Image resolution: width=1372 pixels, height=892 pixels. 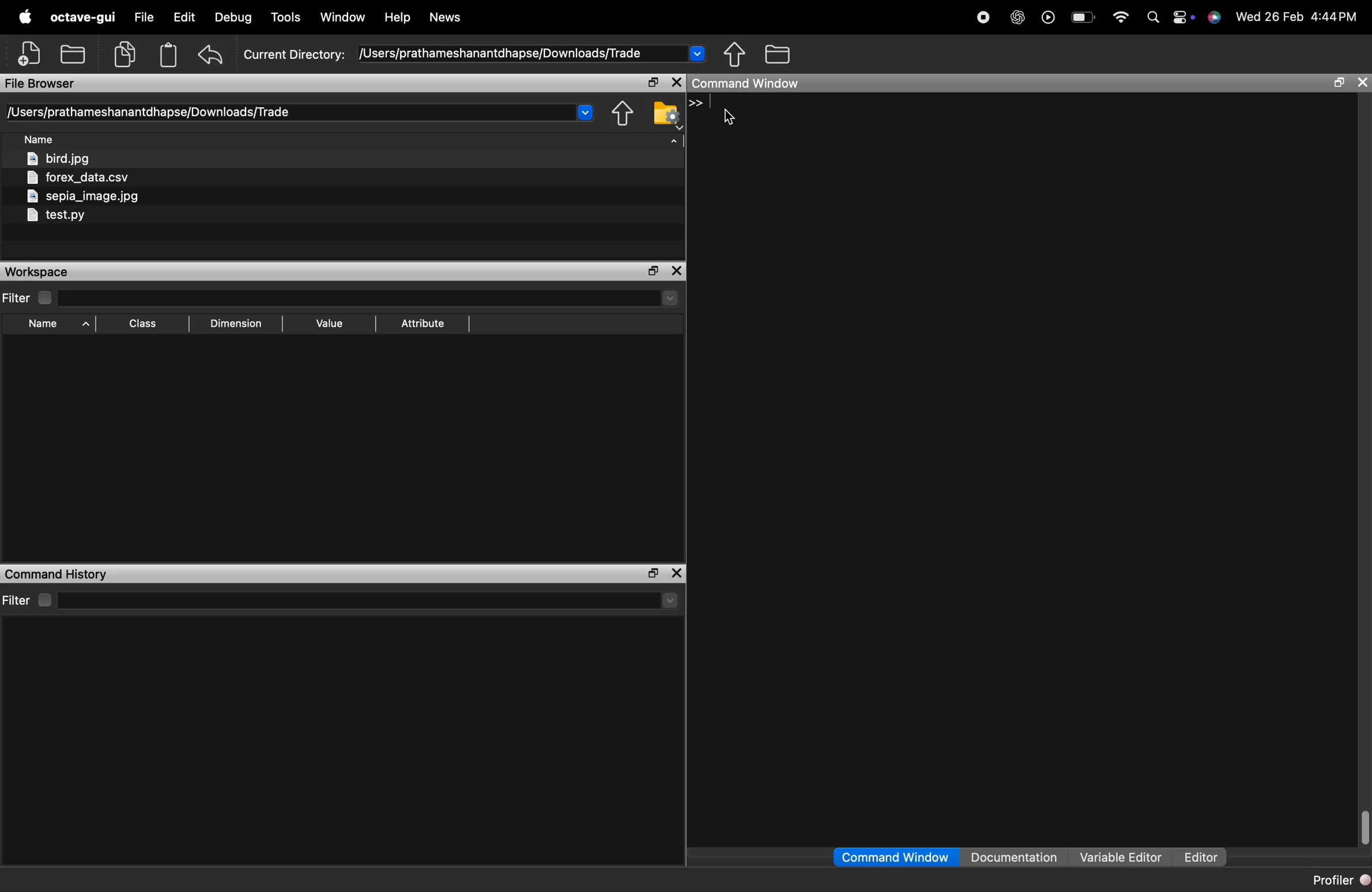 What do you see at coordinates (446, 17) in the screenshot?
I see `News` at bounding box center [446, 17].